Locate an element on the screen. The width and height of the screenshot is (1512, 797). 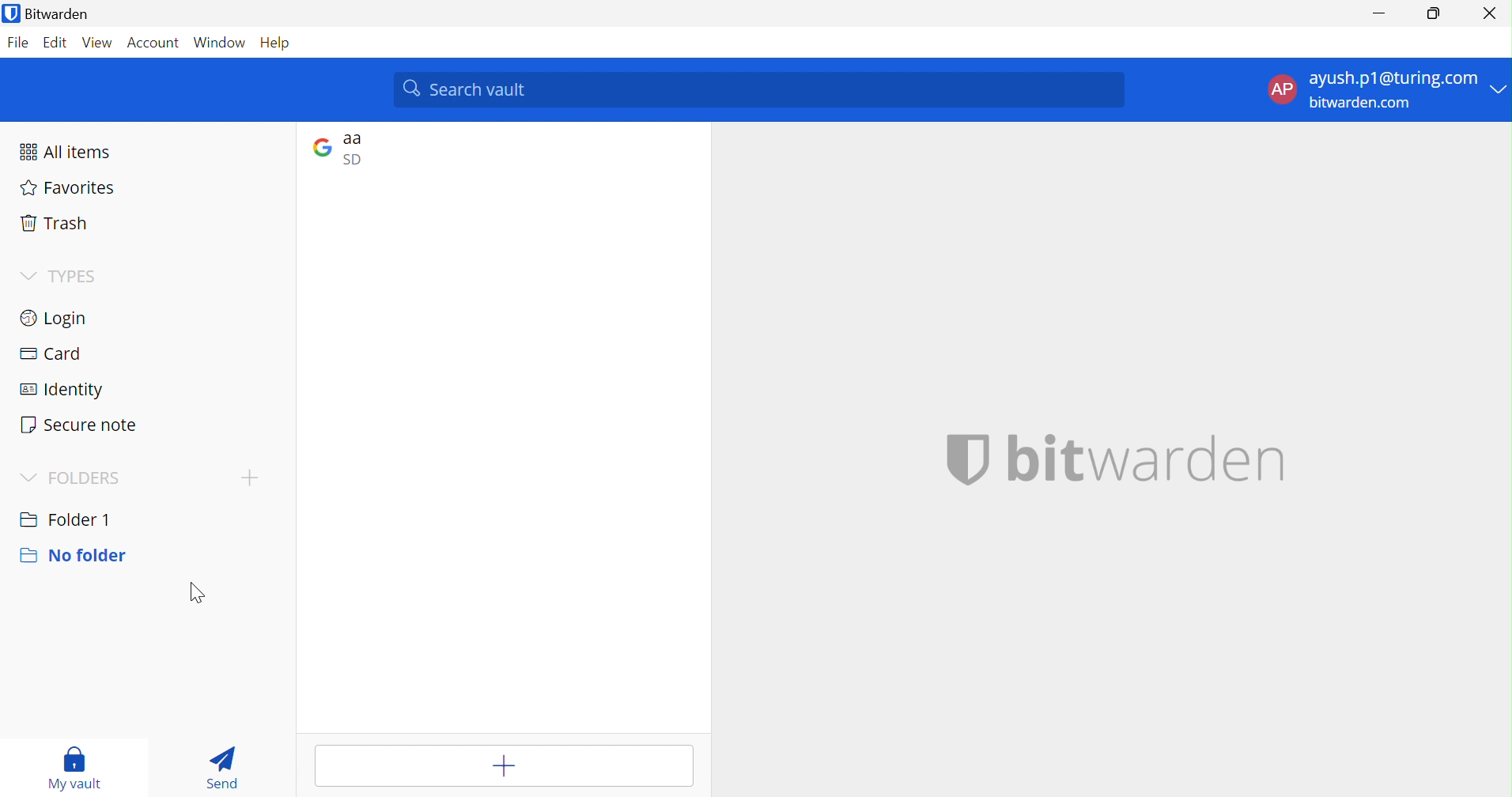
Drop Down is located at coordinates (27, 478).